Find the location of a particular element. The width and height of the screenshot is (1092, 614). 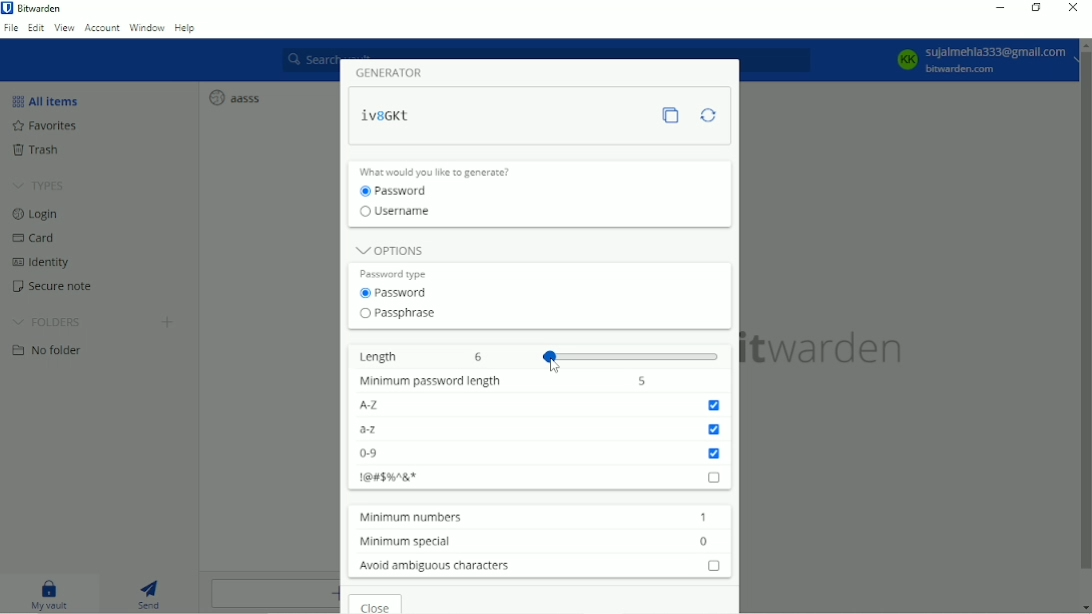

Minimum password length is located at coordinates (427, 382).